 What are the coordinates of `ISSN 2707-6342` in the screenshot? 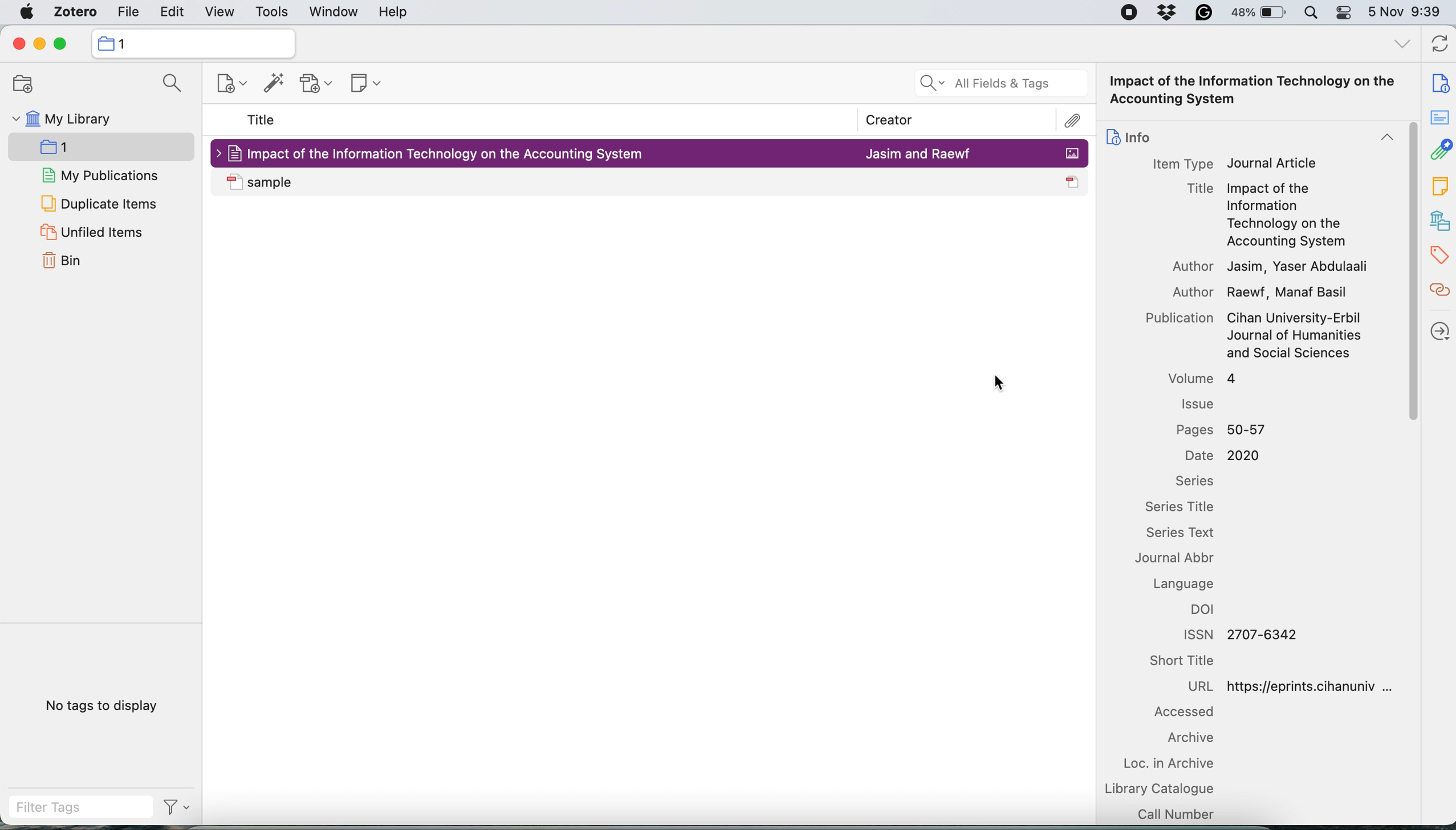 It's located at (1241, 635).